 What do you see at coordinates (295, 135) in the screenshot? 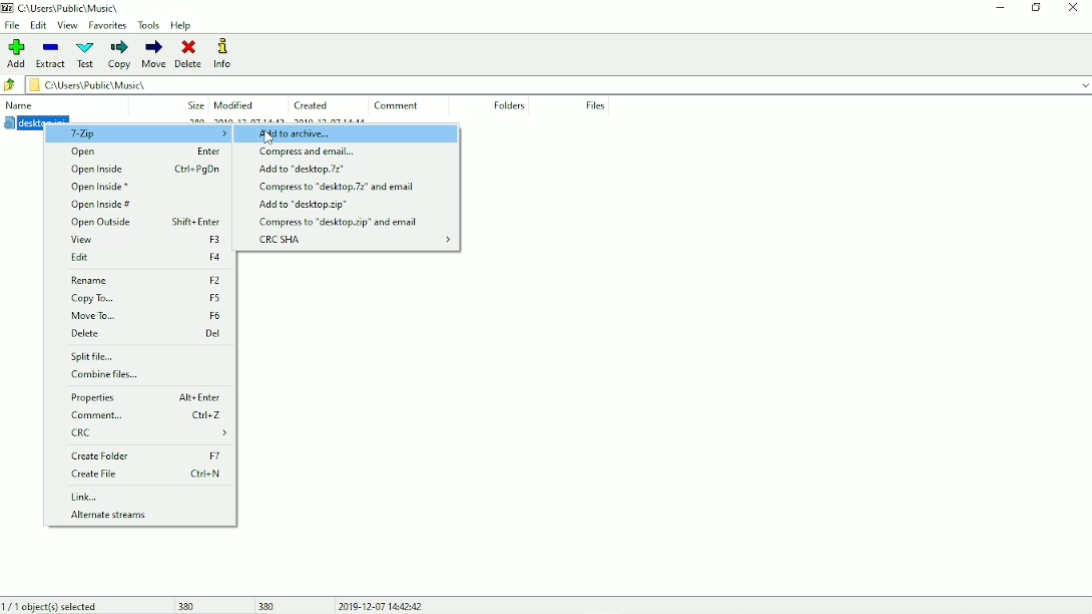
I see `Add to archive` at bounding box center [295, 135].